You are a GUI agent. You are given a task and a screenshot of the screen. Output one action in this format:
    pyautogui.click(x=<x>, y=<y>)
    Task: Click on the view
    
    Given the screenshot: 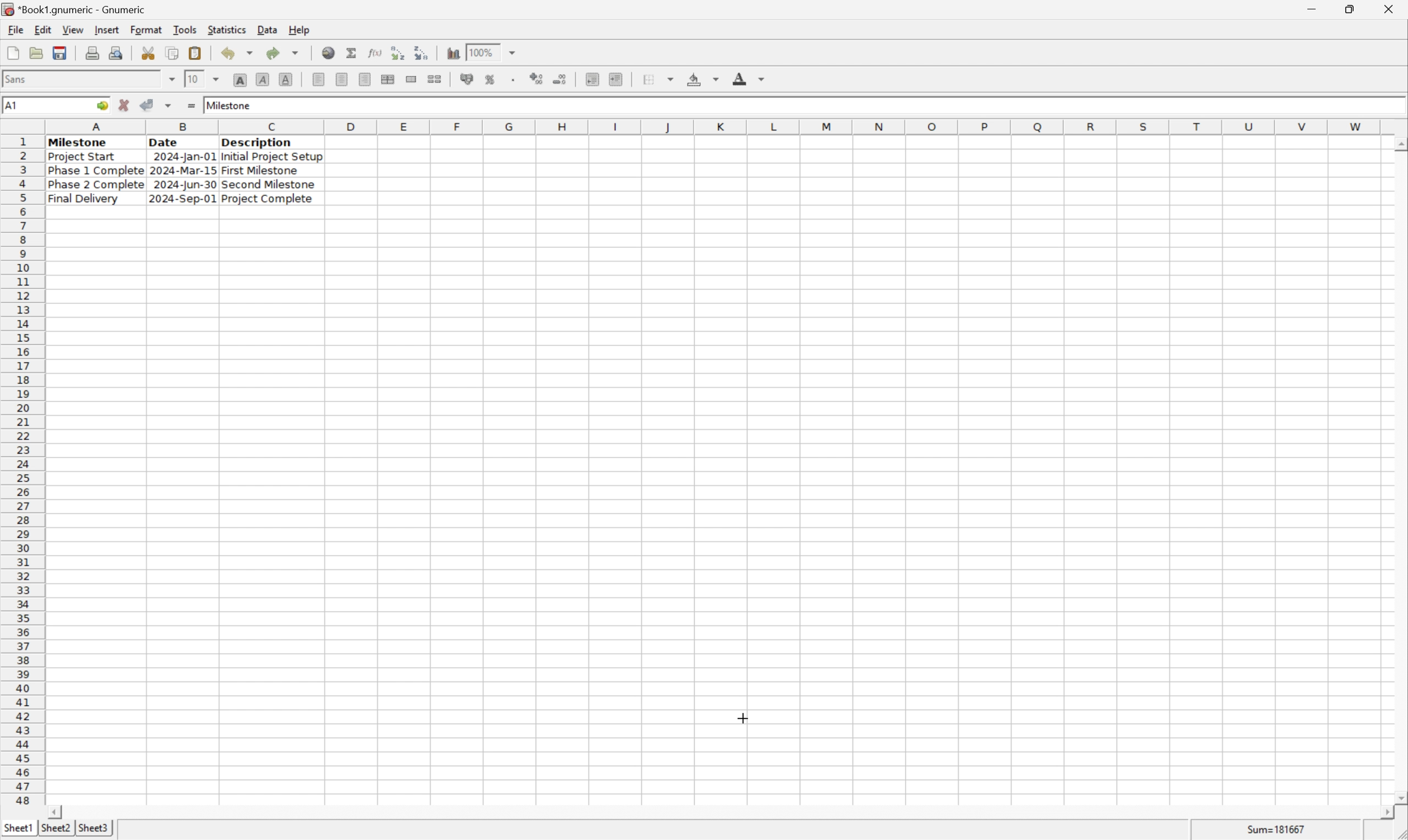 What is the action you would take?
    pyautogui.click(x=72, y=30)
    